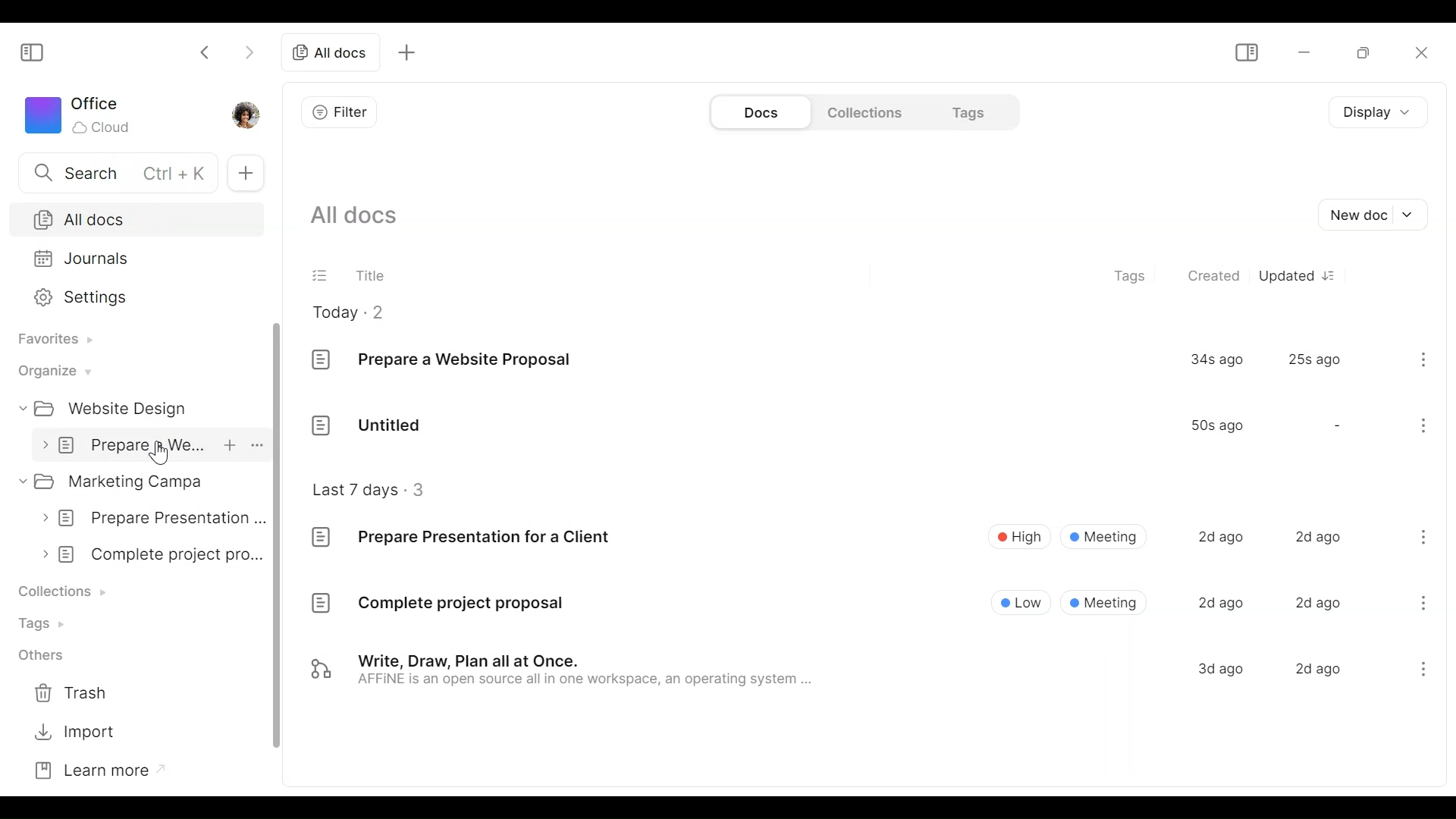 The image size is (1456, 819). What do you see at coordinates (78, 115) in the screenshot?
I see `Workspace` at bounding box center [78, 115].